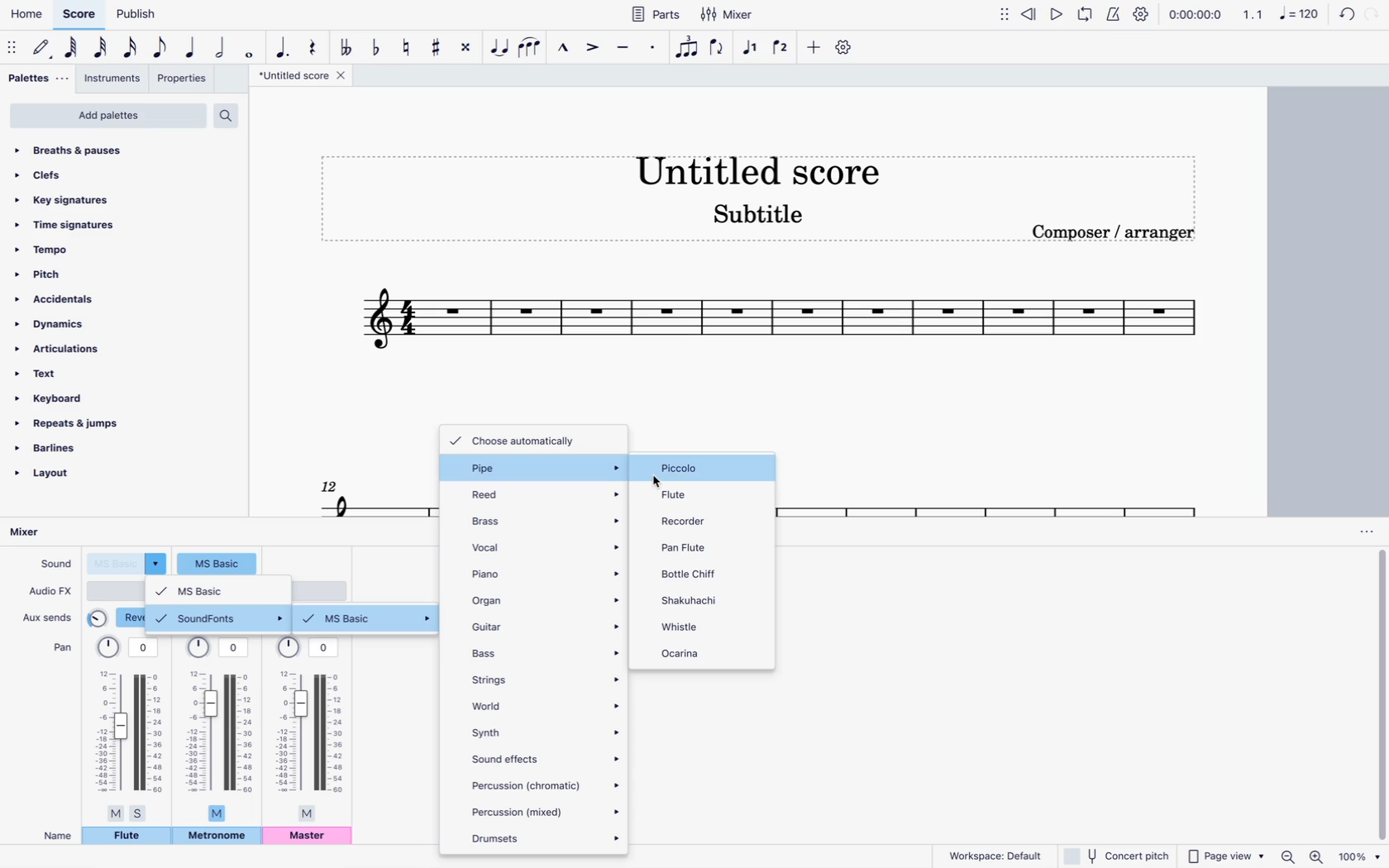 The height and width of the screenshot is (868, 1389). I want to click on Staccato , so click(655, 45).